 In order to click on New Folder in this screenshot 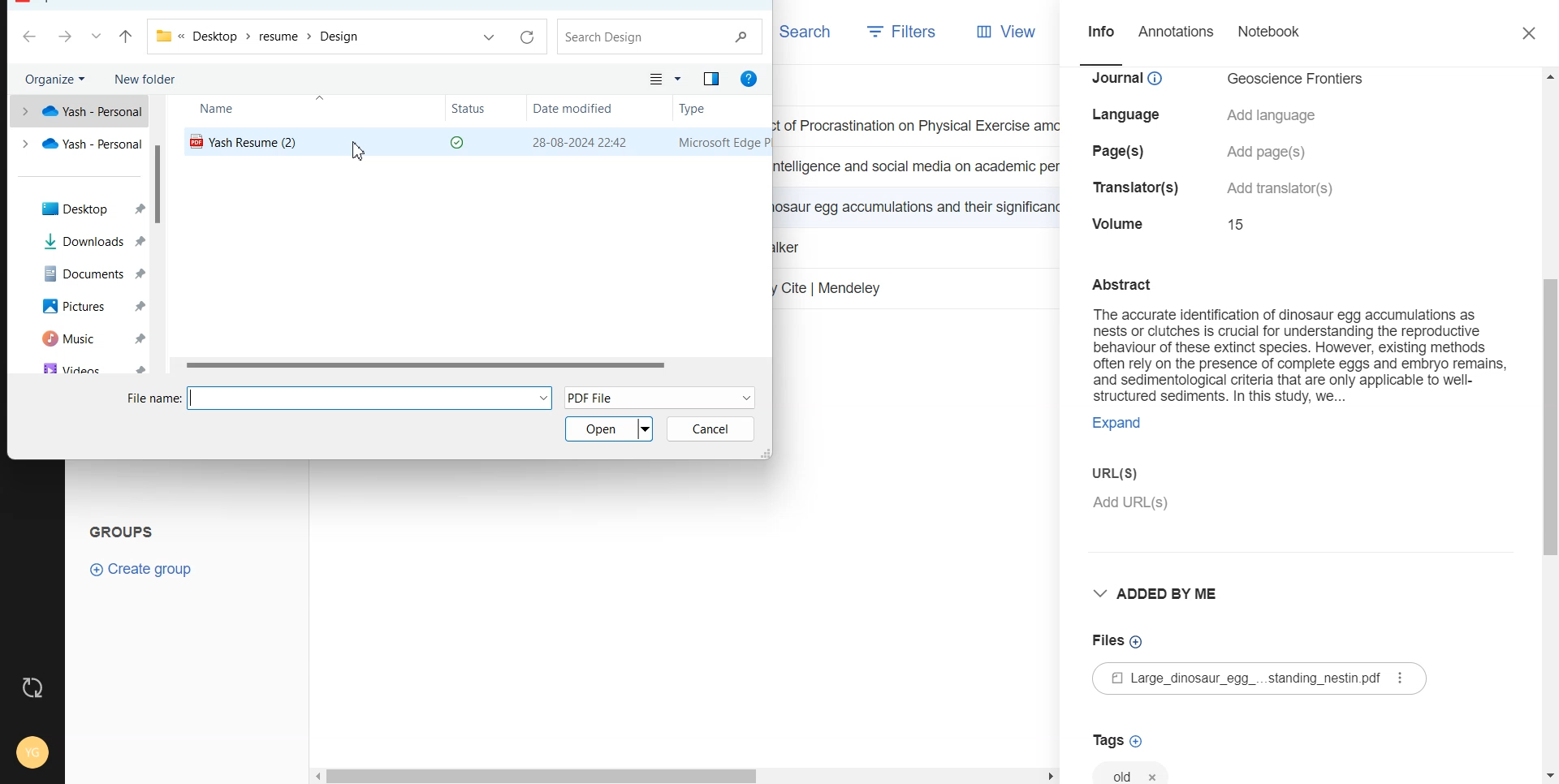, I will do `click(145, 78)`.